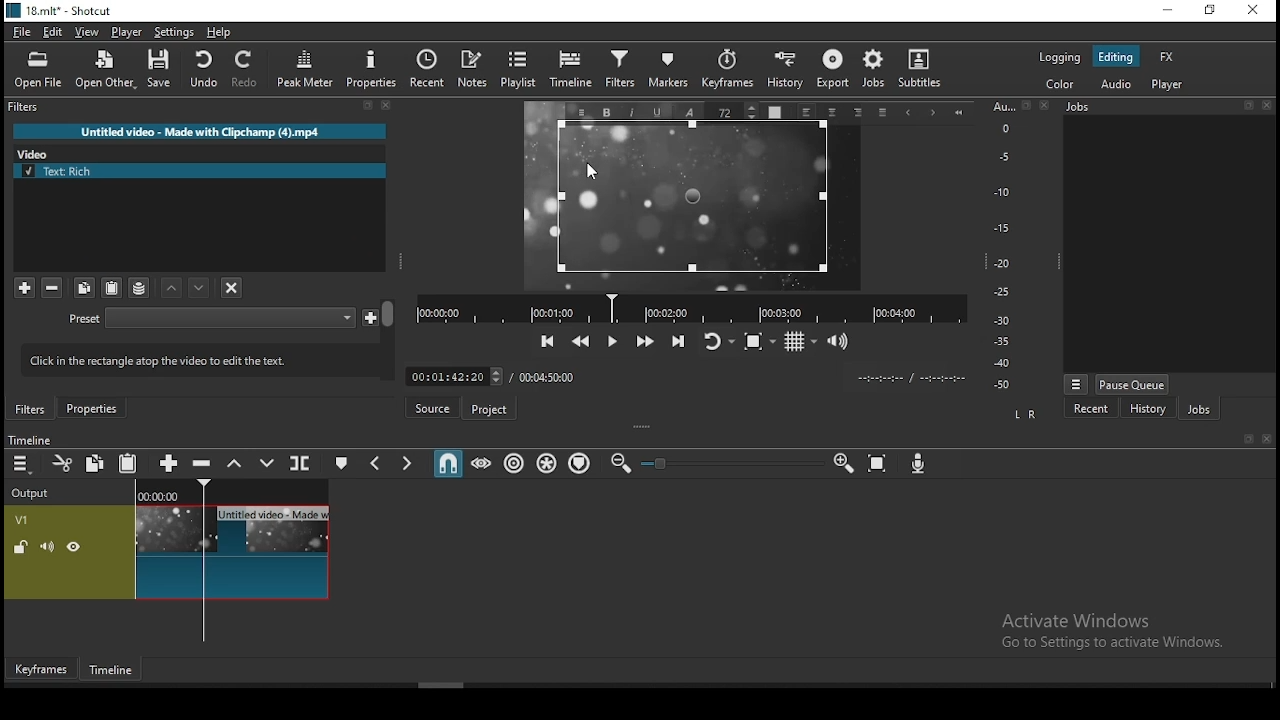 The image size is (1280, 720). I want to click on logging, so click(1061, 57).